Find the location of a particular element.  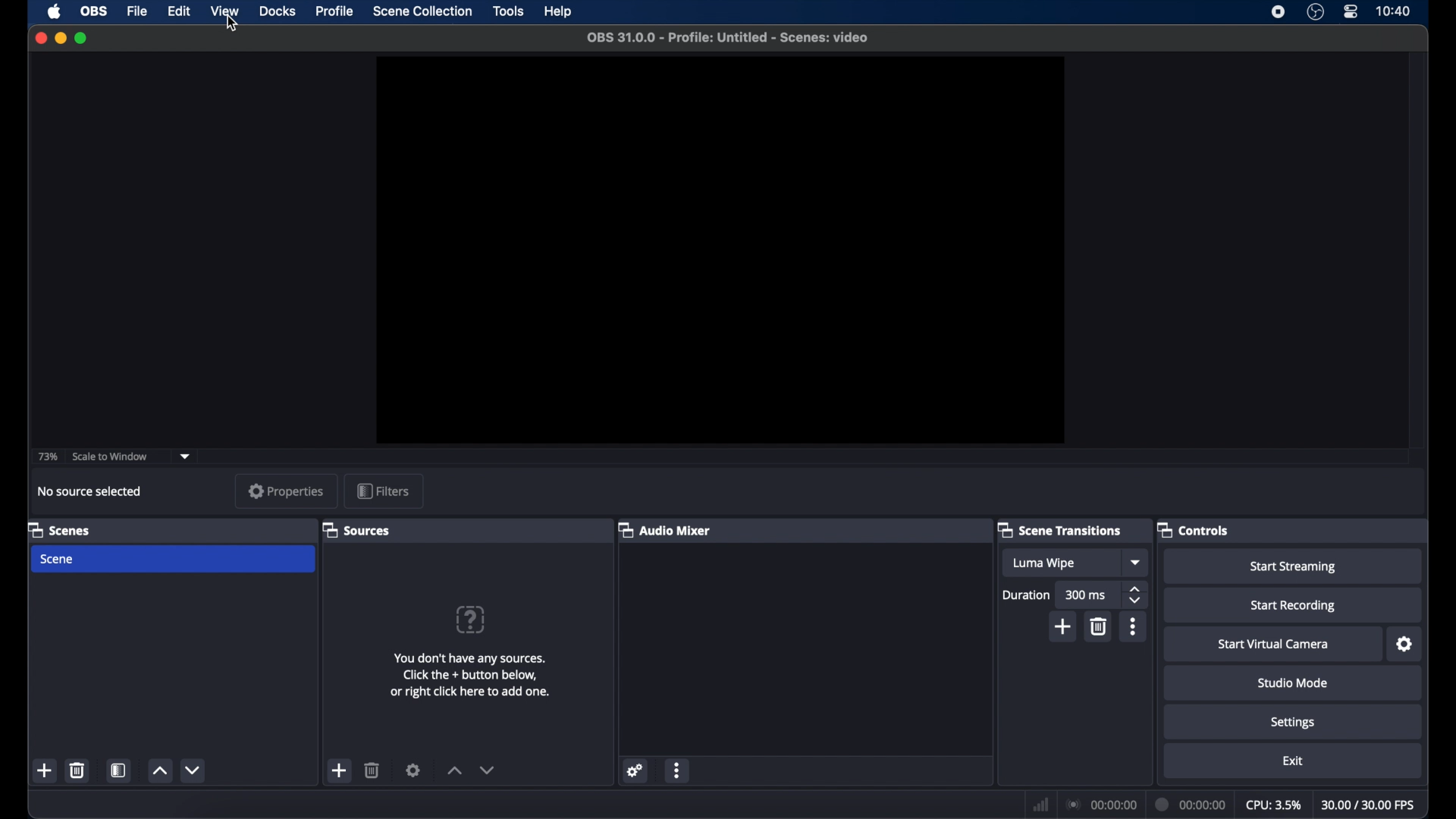

minimize is located at coordinates (60, 38).